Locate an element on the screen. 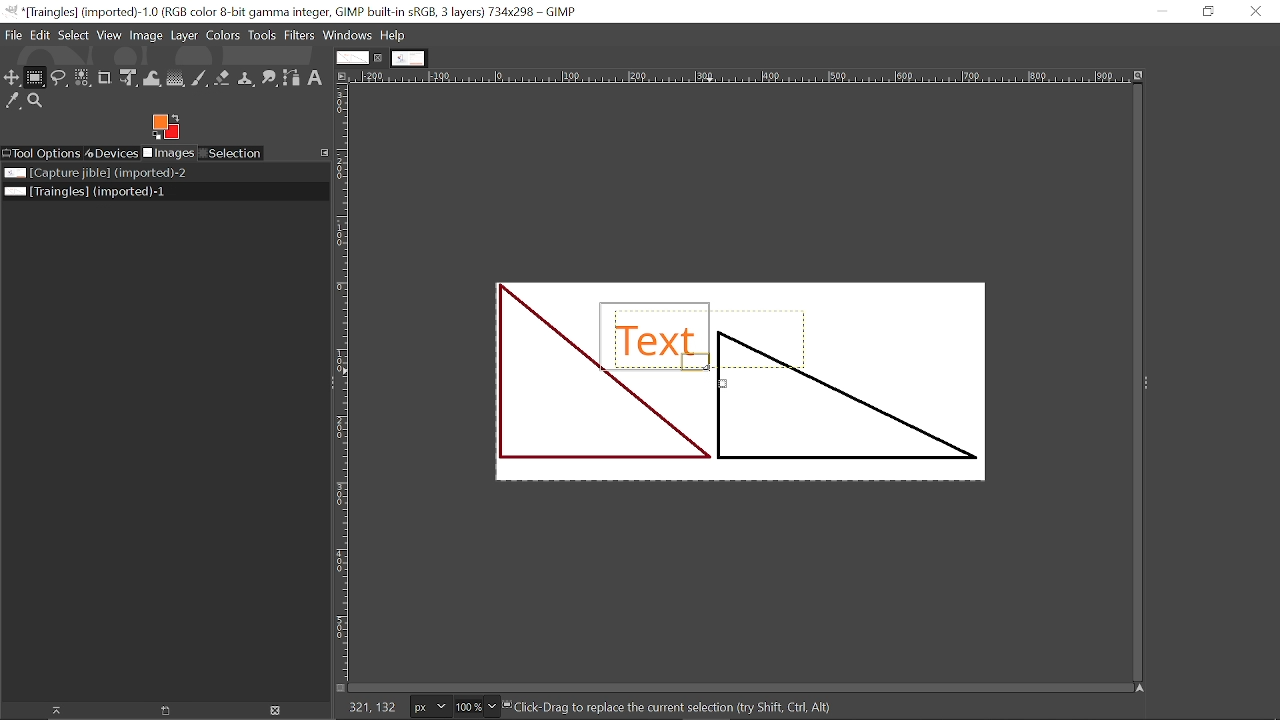 The image size is (1280, 720). Cursor is located at coordinates (718, 378).